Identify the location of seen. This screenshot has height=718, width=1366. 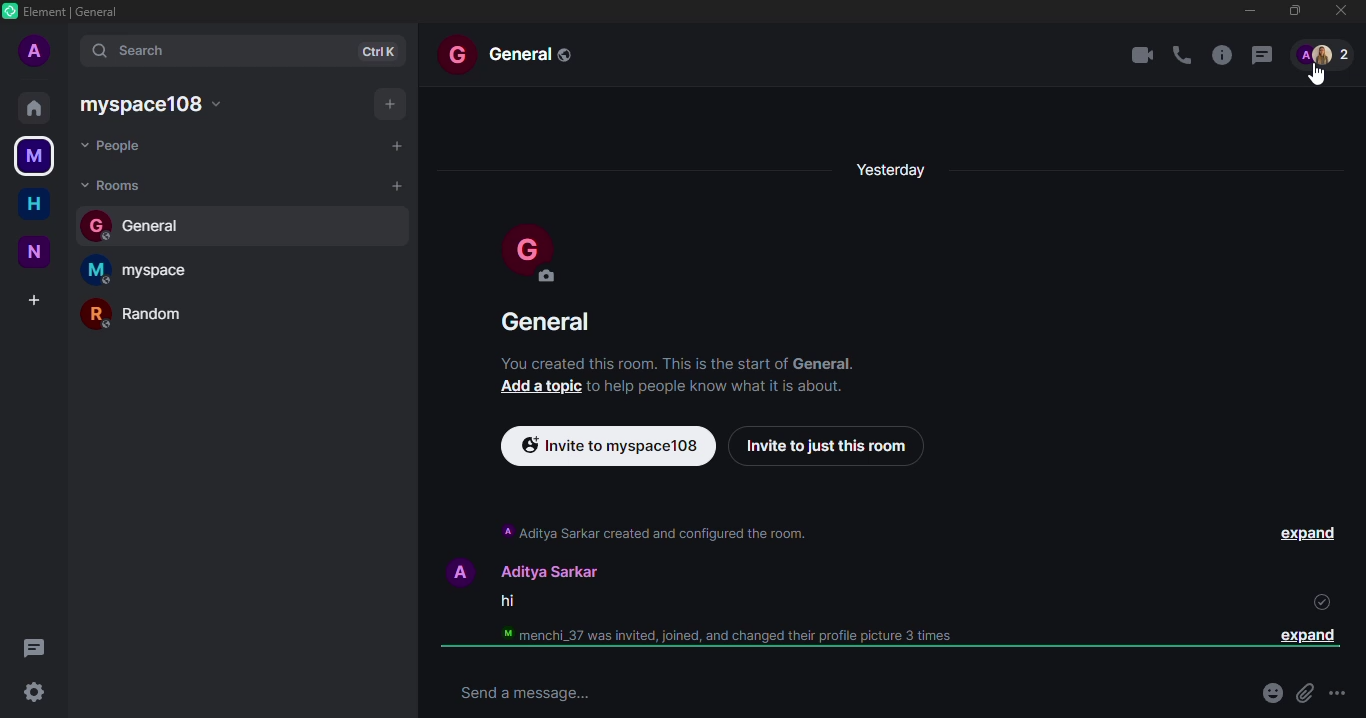
(1318, 602).